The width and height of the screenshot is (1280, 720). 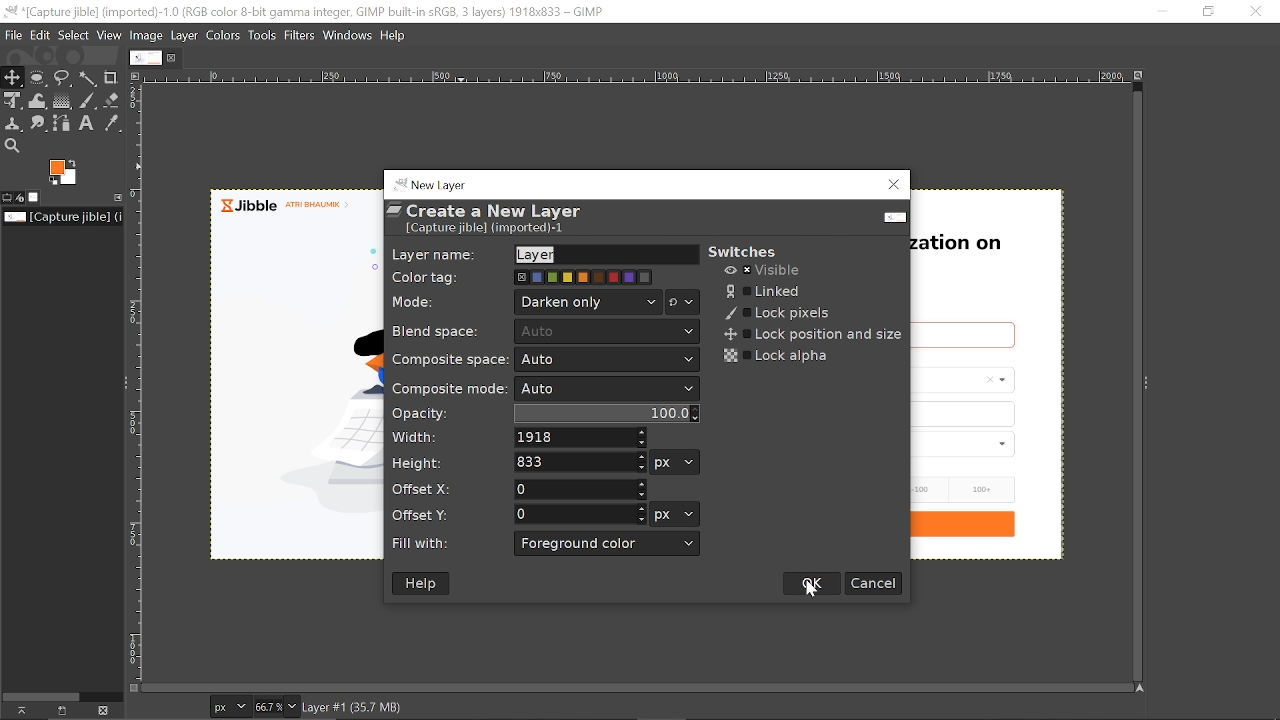 I want to click on Layer name, so click(x=602, y=255).